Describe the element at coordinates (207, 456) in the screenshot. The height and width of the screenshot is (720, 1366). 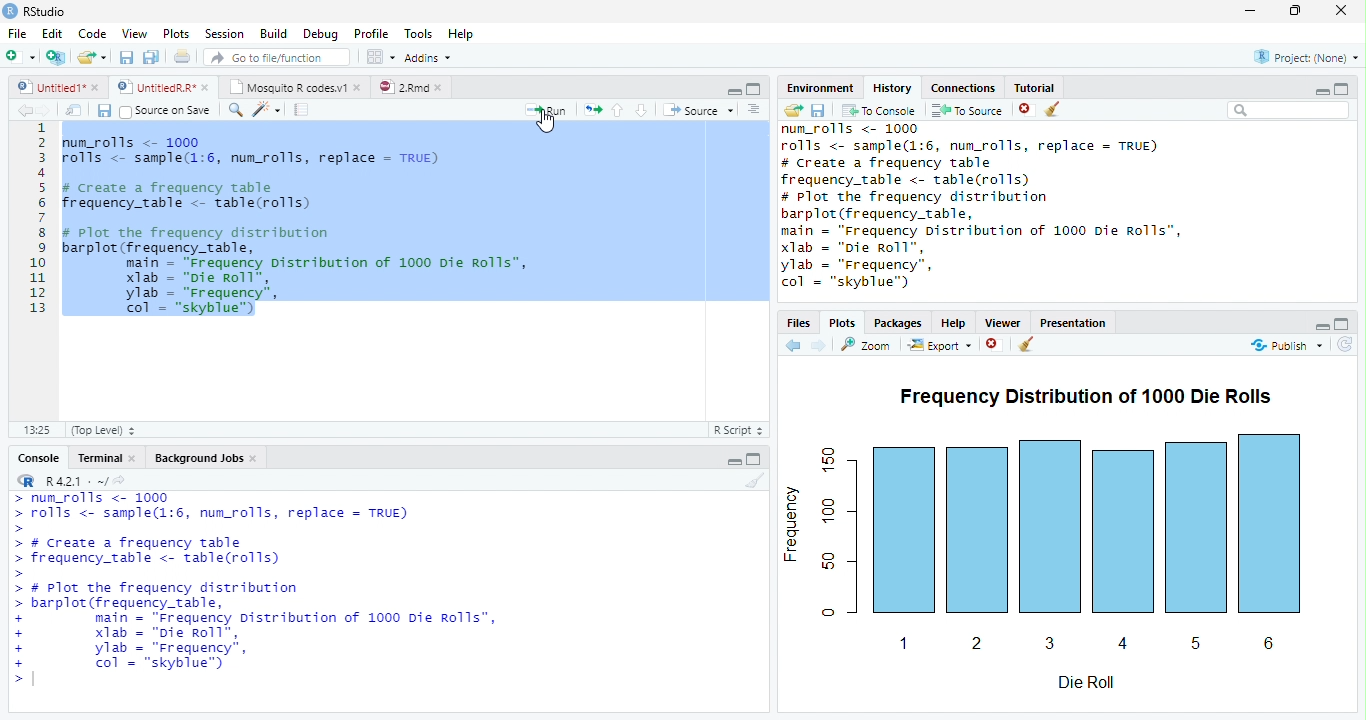
I see `Background Jobs` at that location.